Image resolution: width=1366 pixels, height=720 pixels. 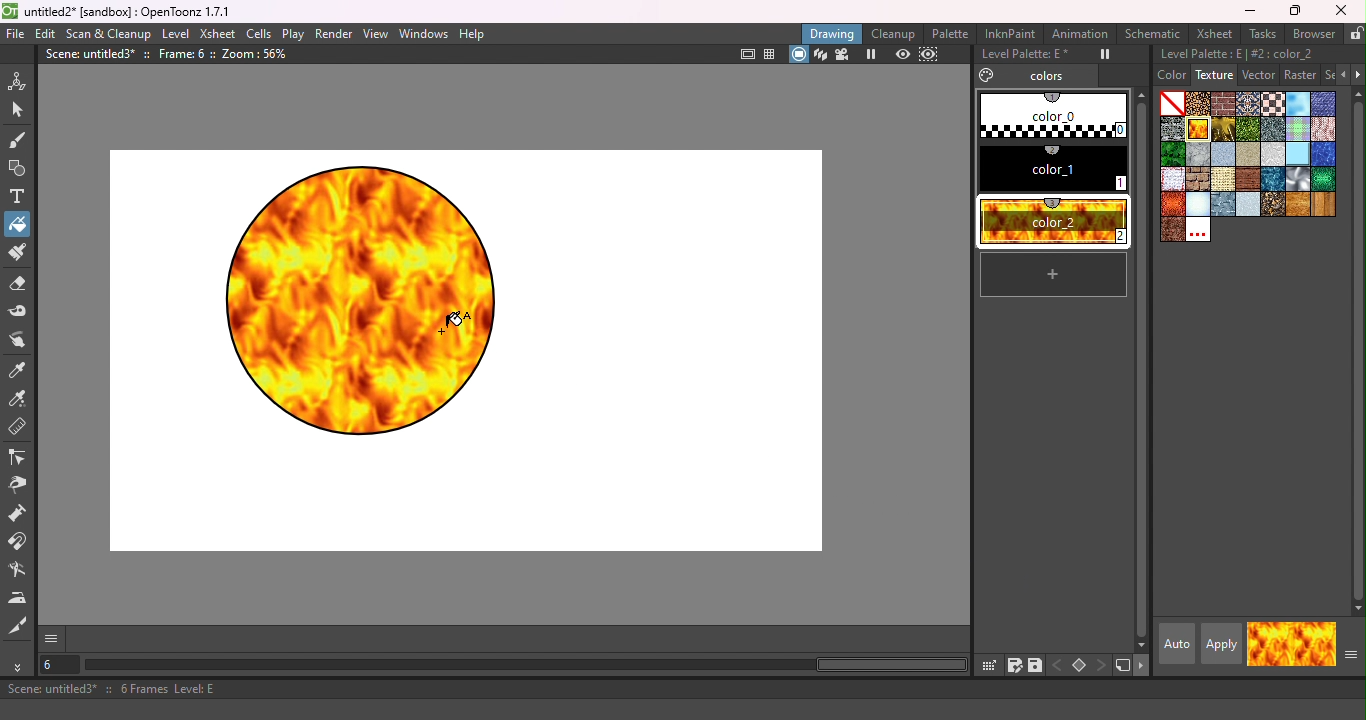 I want to click on Pinch, so click(x=19, y=487).